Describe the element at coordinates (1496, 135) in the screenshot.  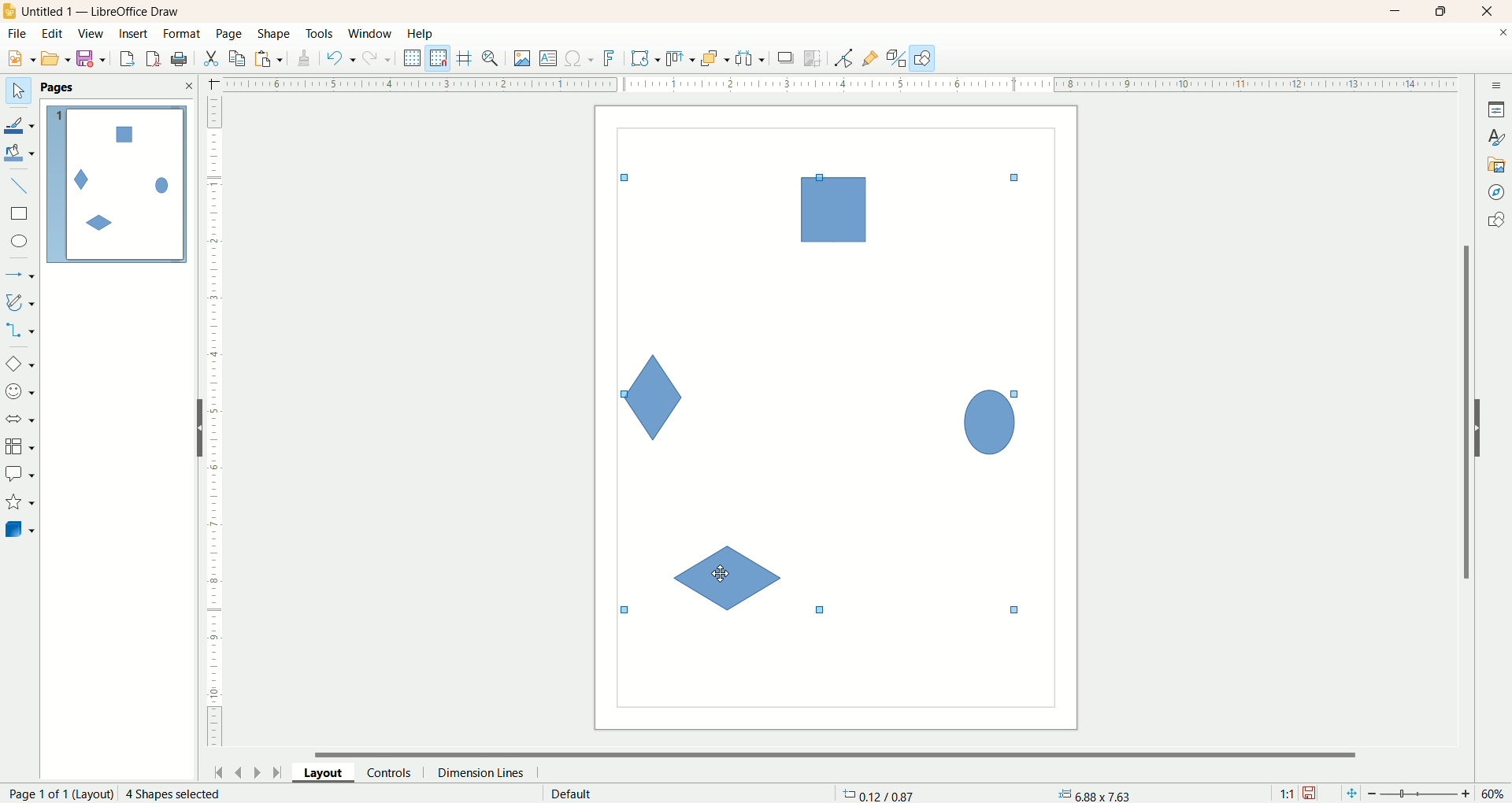
I see `styles` at that location.